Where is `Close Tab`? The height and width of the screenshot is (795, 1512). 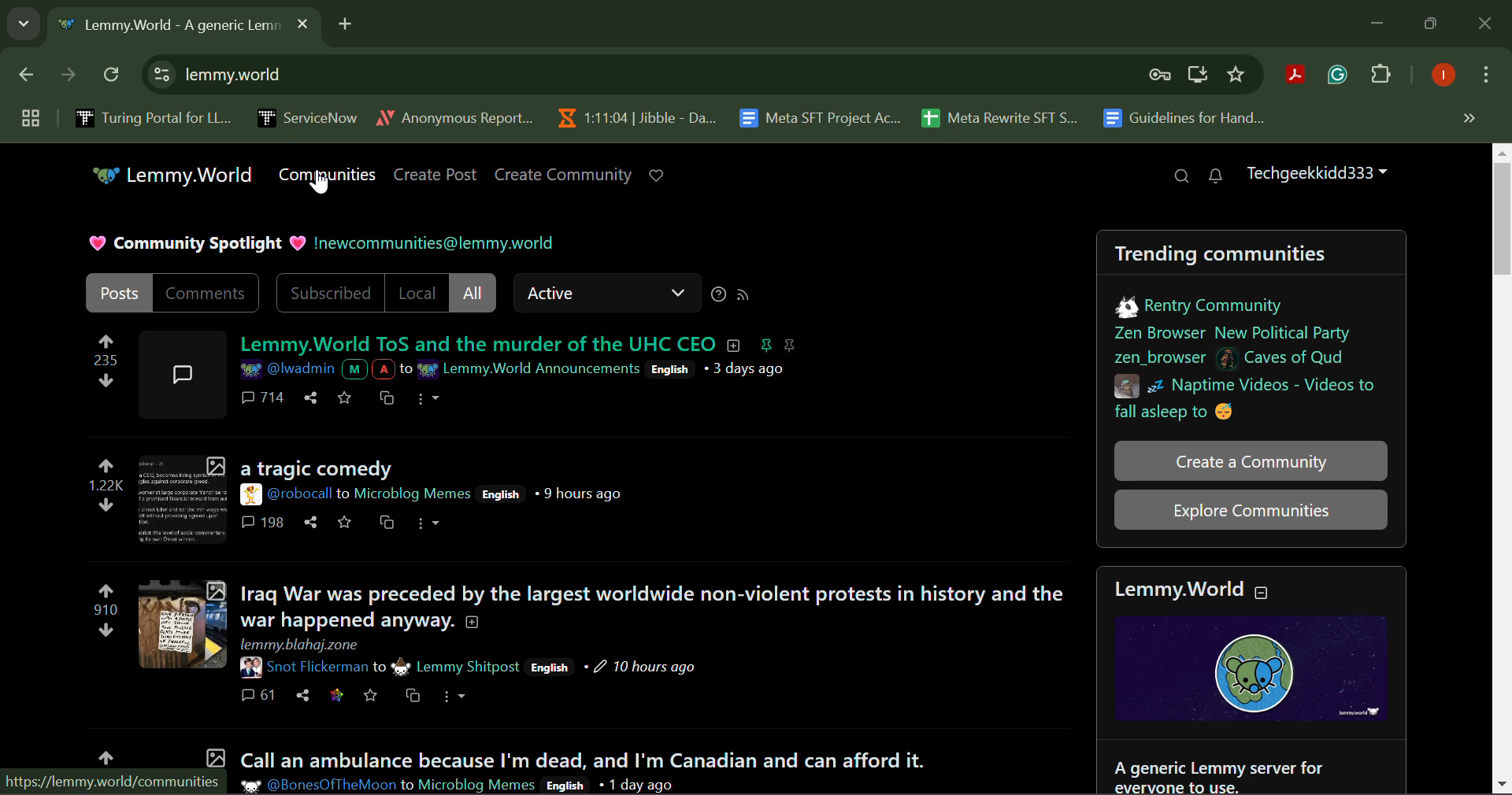
Close Tab is located at coordinates (302, 23).